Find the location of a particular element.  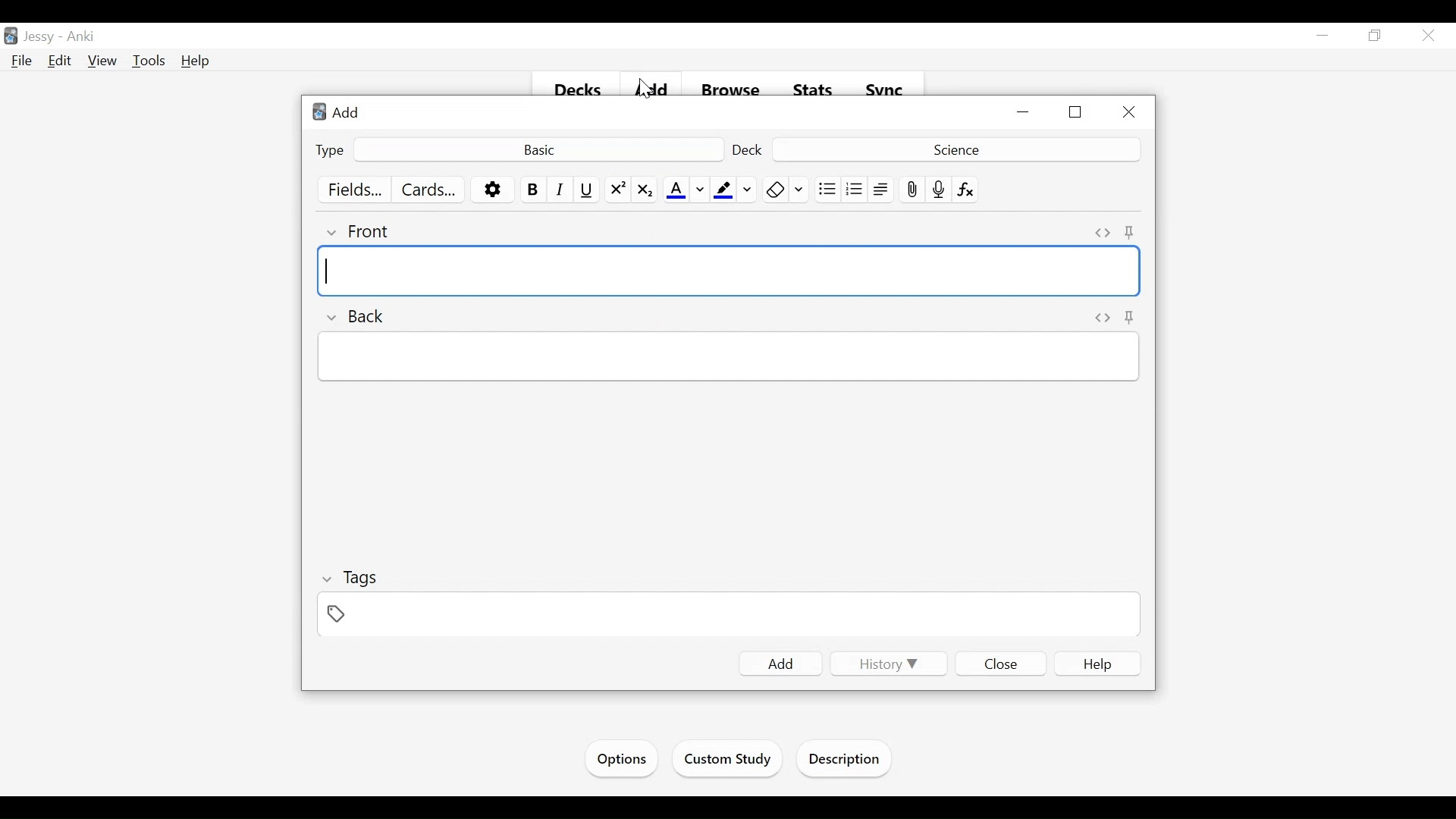

Type is located at coordinates (331, 149).